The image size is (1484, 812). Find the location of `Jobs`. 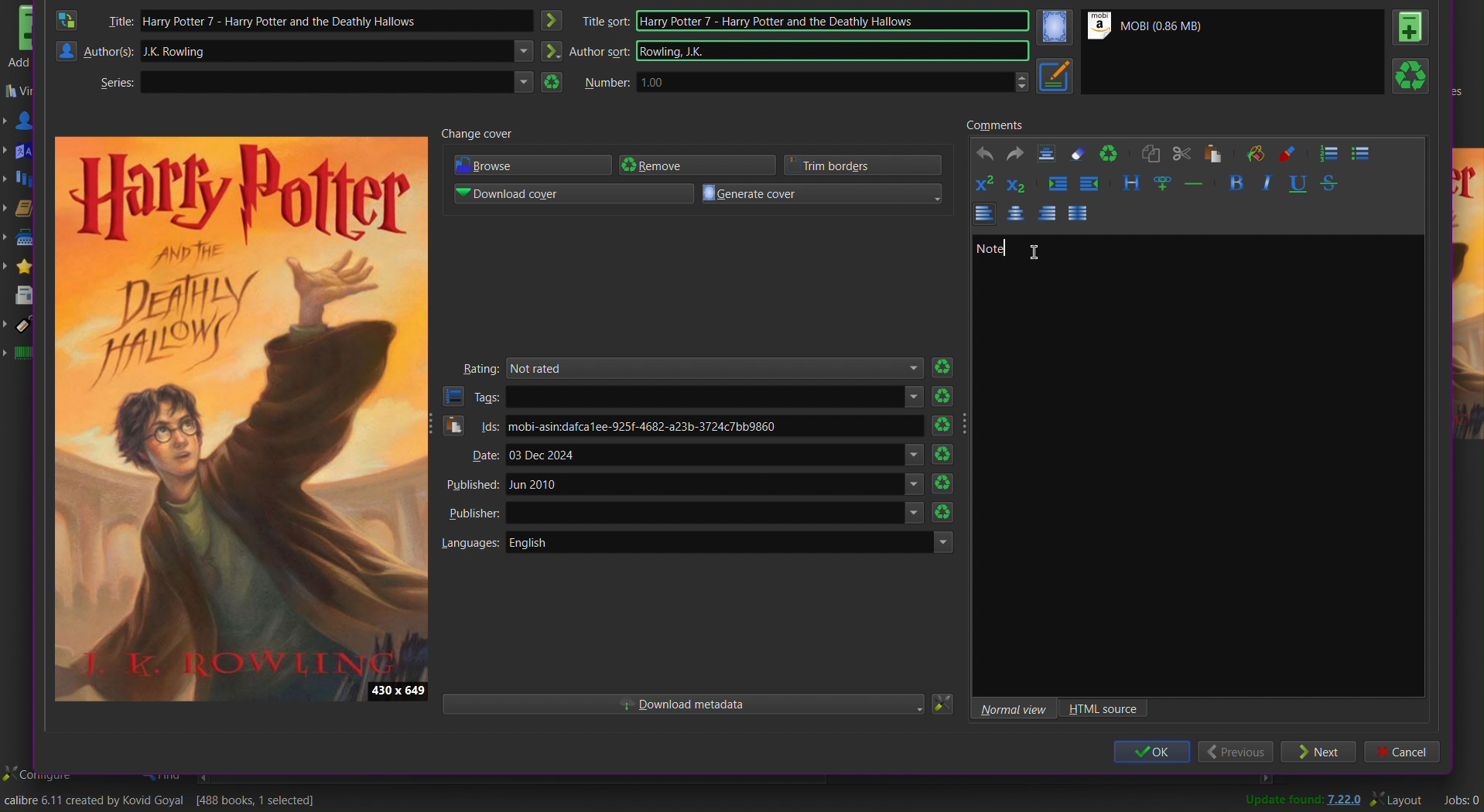

Jobs is located at coordinates (1462, 800).